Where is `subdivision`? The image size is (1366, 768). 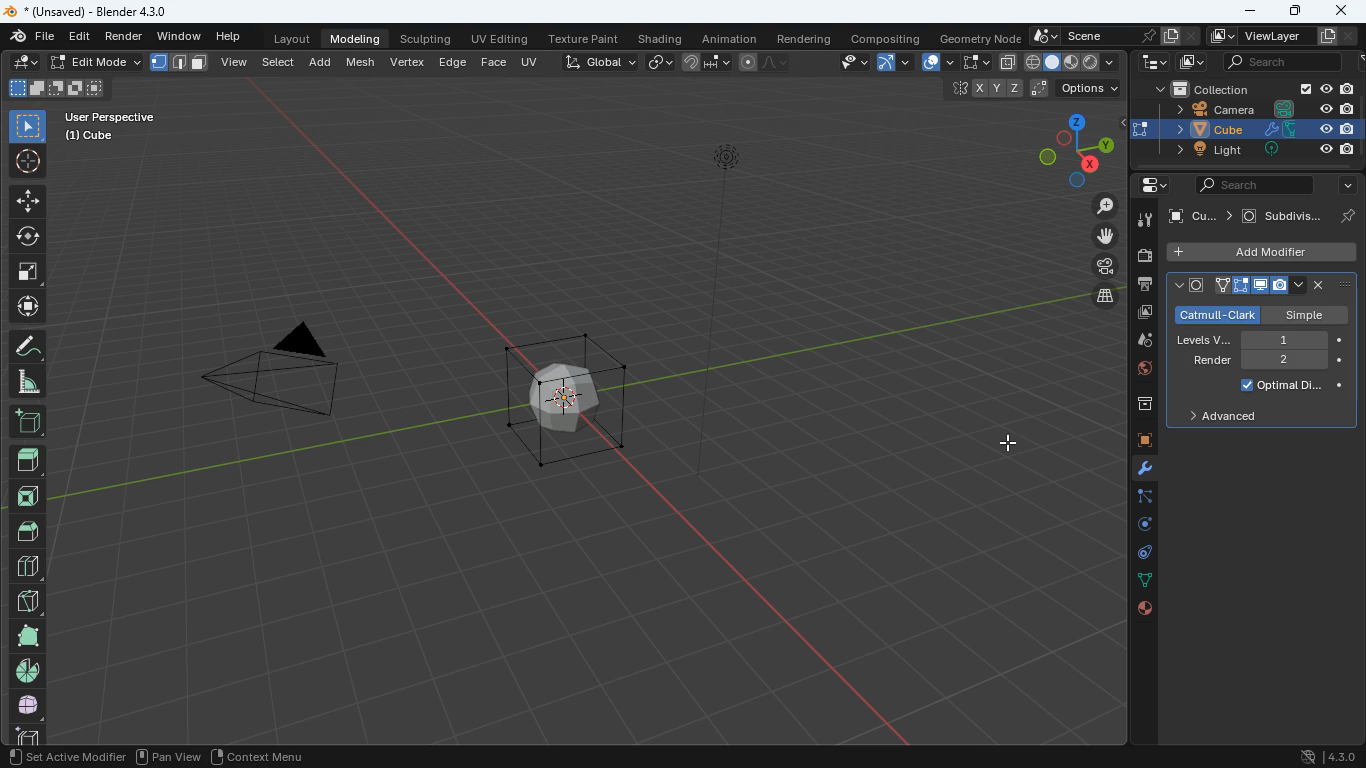
subdivision is located at coordinates (1299, 216).